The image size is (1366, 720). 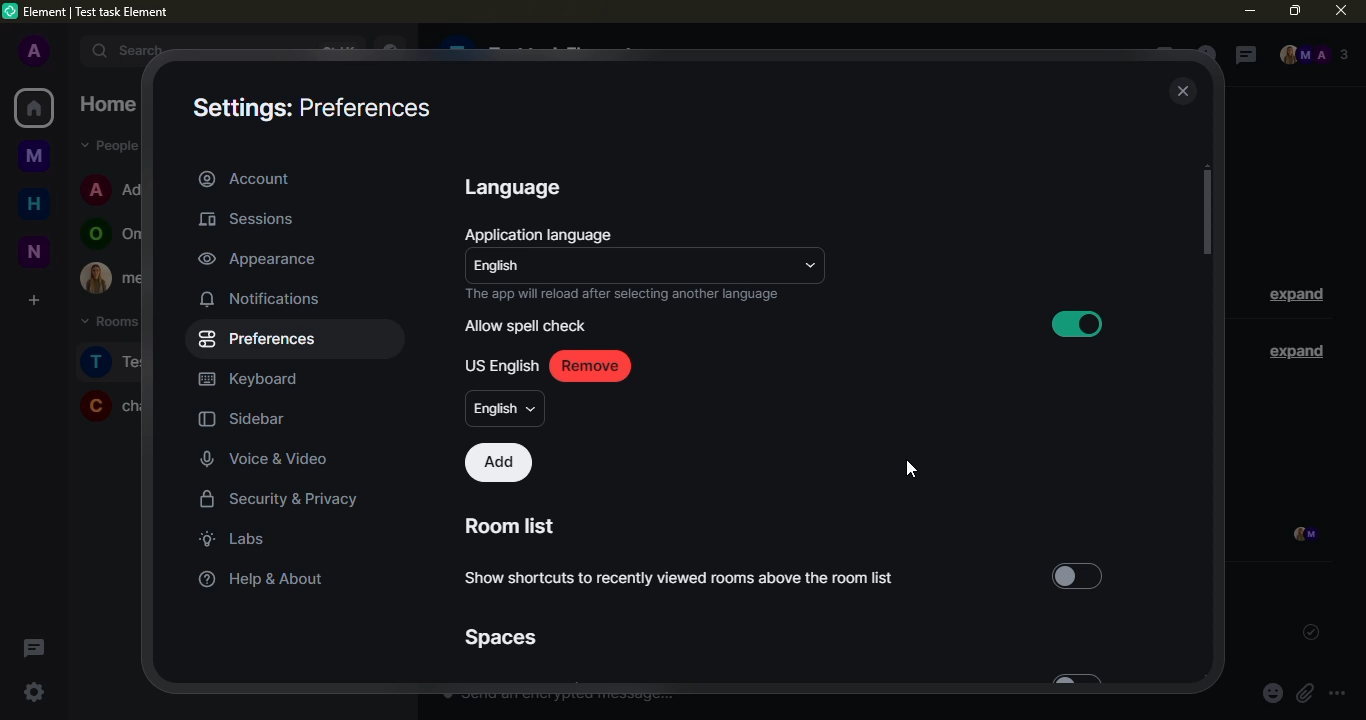 I want to click on expand, so click(x=1296, y=296).